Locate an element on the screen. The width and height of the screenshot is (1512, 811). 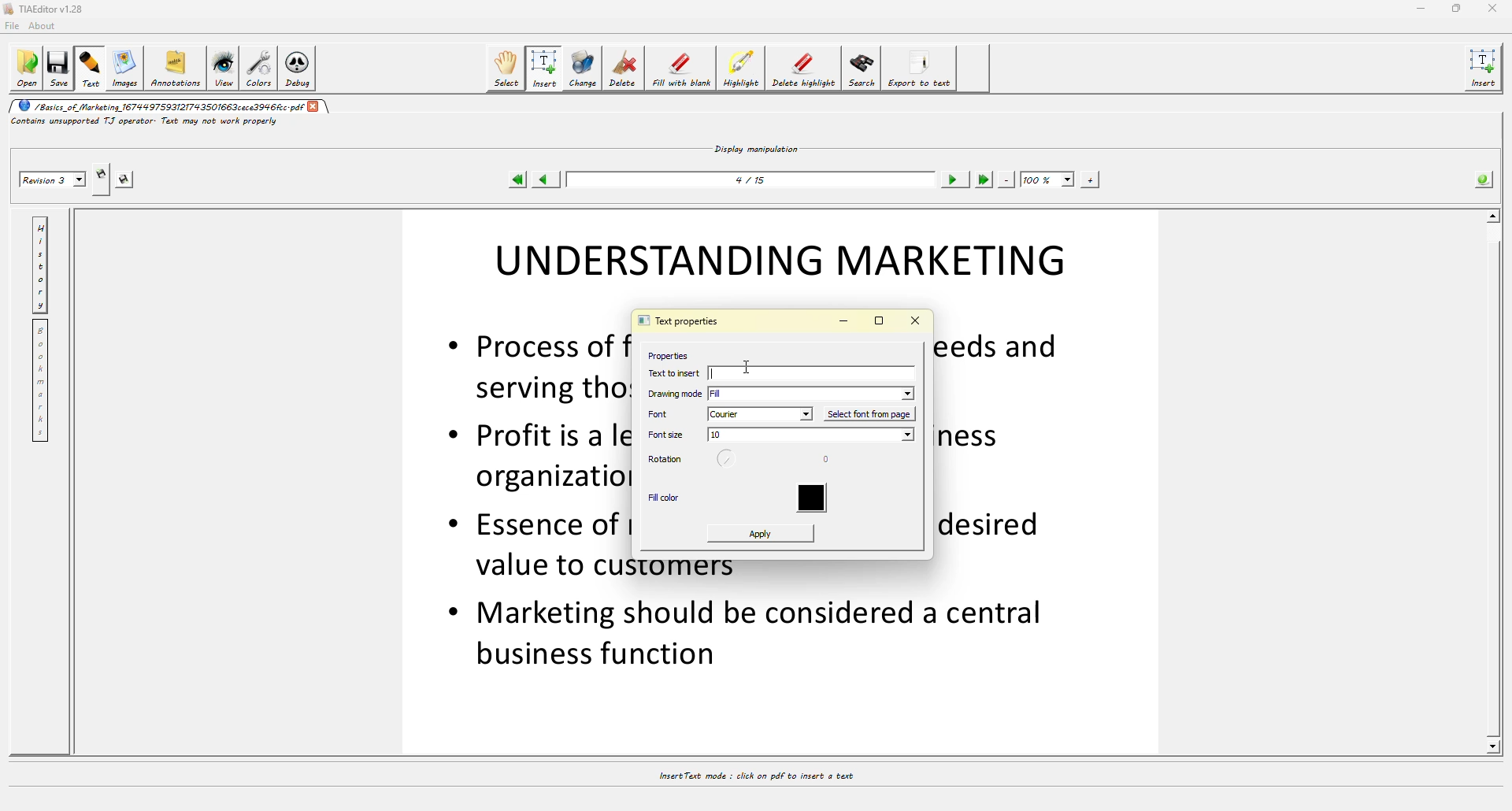
rotaion is located at coordinates (730, 461).